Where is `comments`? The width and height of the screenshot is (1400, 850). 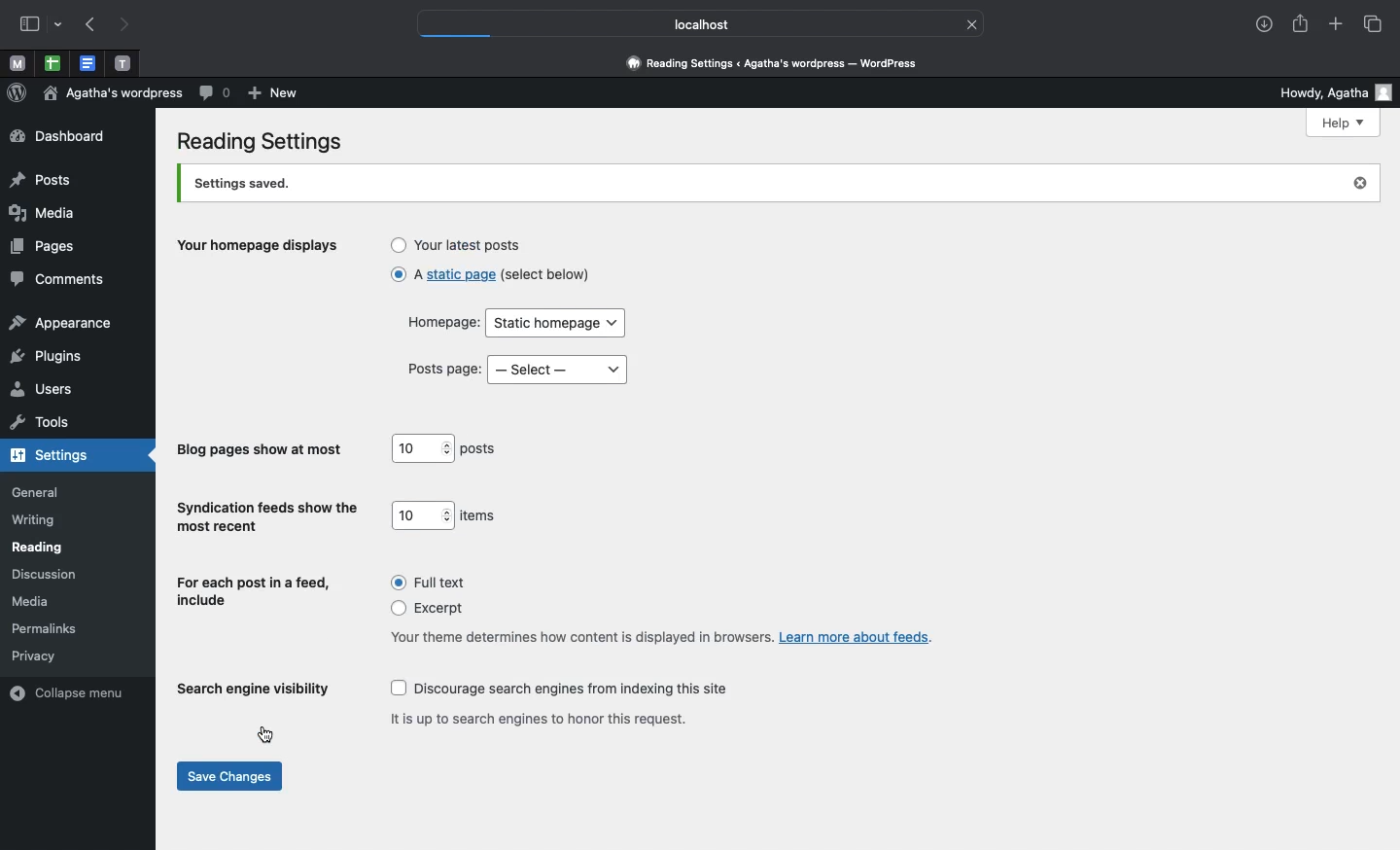
comments is located at coordinates (57, 280).